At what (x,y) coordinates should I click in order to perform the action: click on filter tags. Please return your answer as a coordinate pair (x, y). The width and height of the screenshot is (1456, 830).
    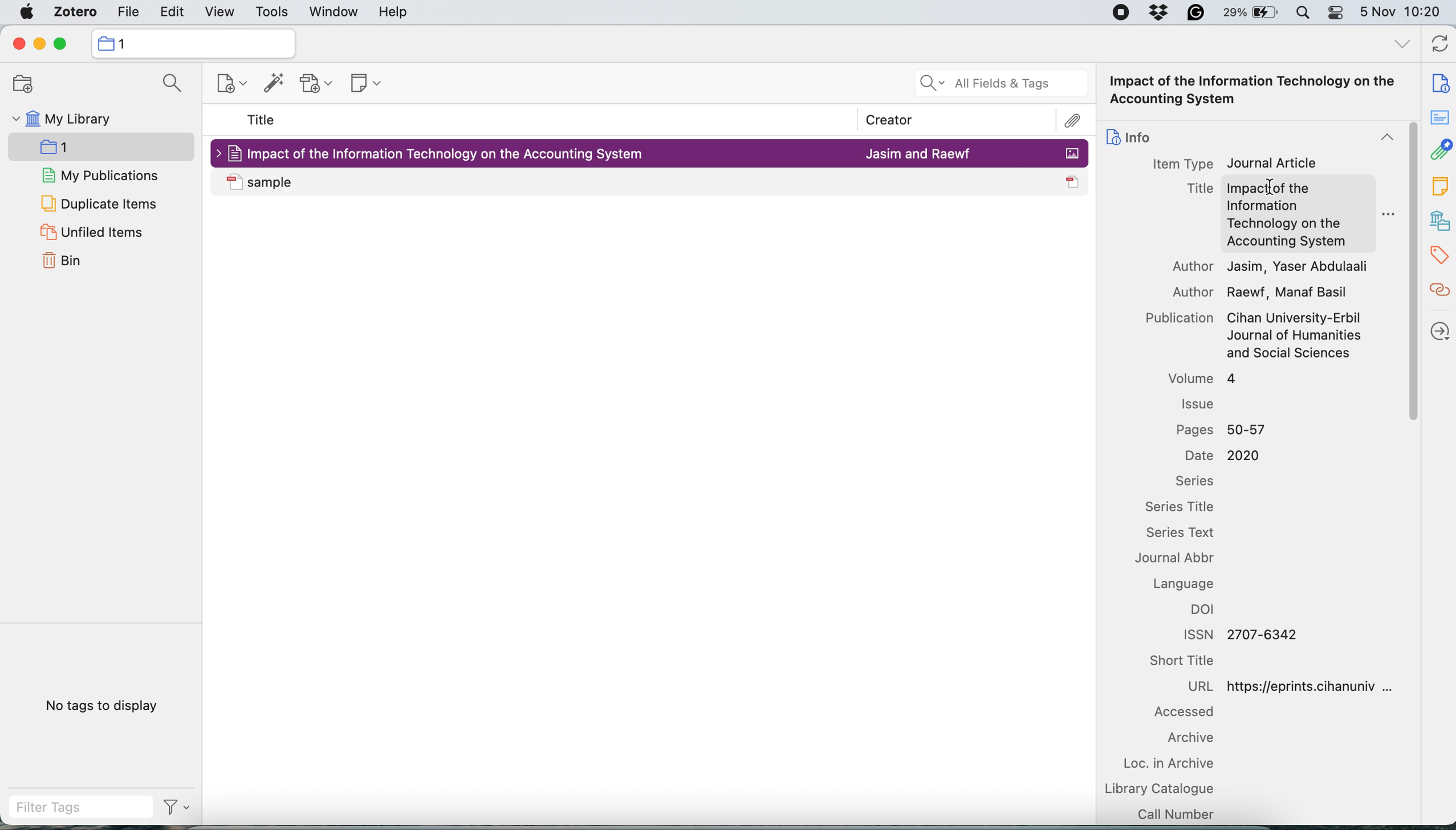
    Looking at the image, I should click on (83, 808).